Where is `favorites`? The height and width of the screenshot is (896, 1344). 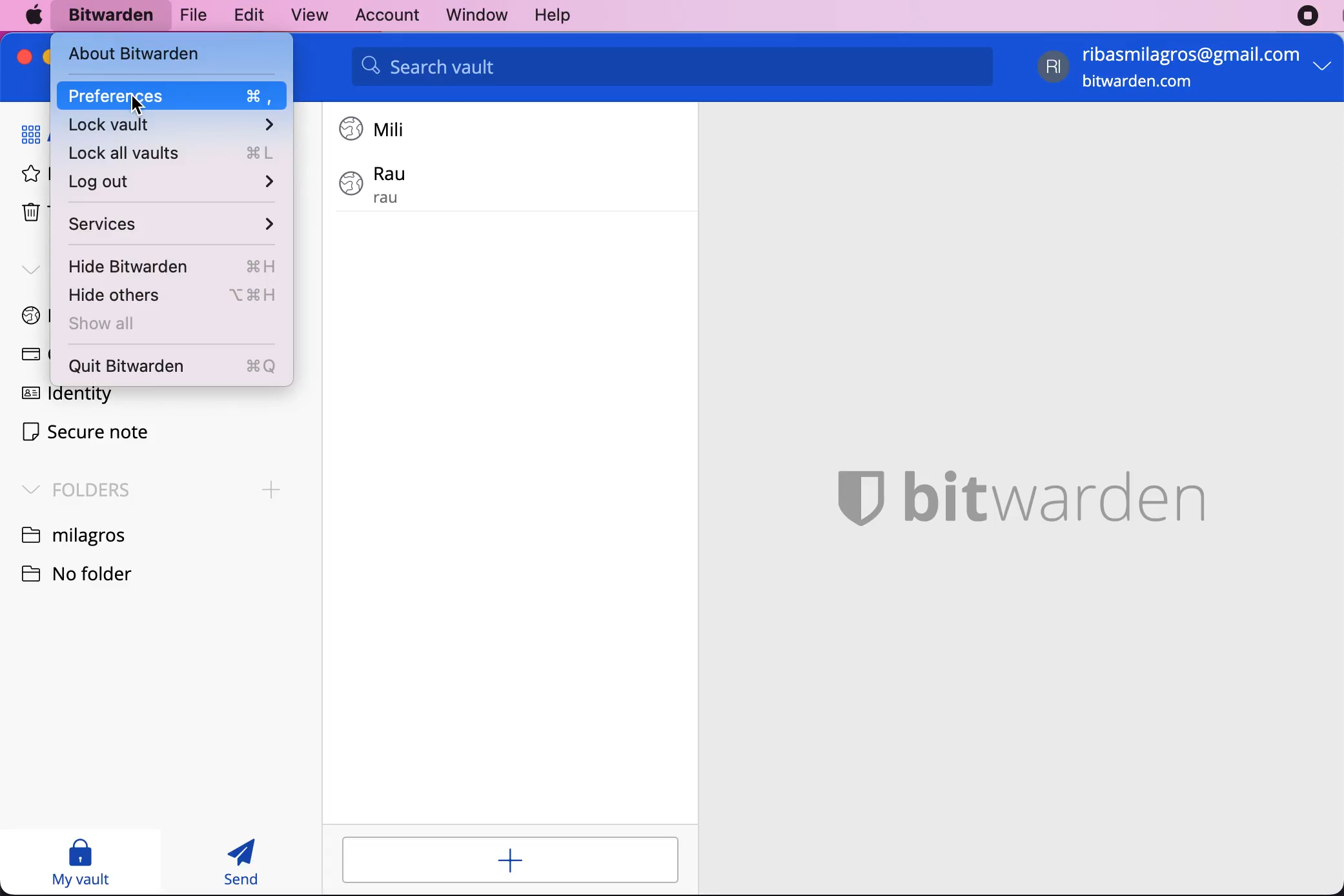
favorites is located at coordinates (28, 176).